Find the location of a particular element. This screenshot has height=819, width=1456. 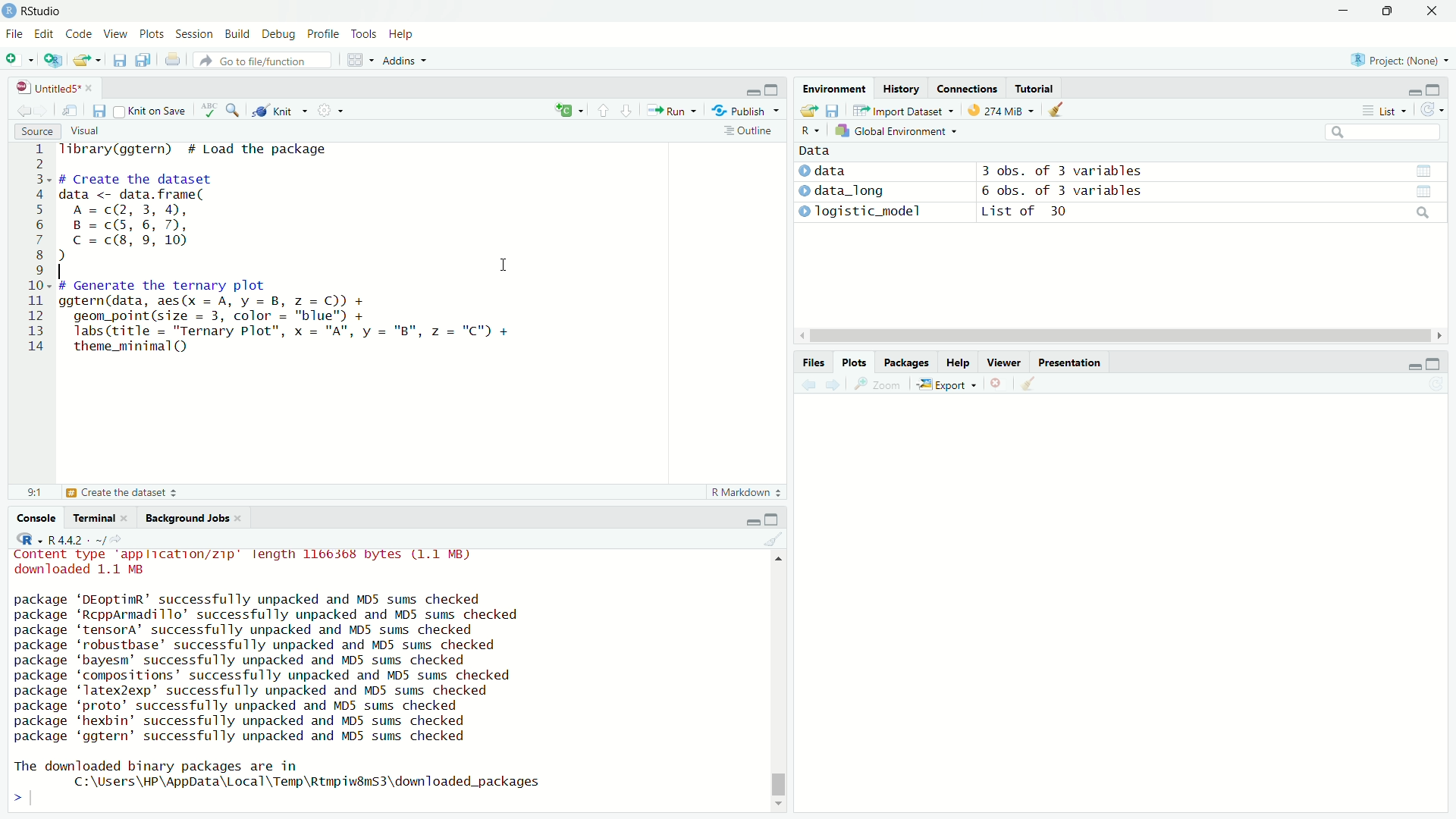

maximise is located at coordinates (1432, 365).